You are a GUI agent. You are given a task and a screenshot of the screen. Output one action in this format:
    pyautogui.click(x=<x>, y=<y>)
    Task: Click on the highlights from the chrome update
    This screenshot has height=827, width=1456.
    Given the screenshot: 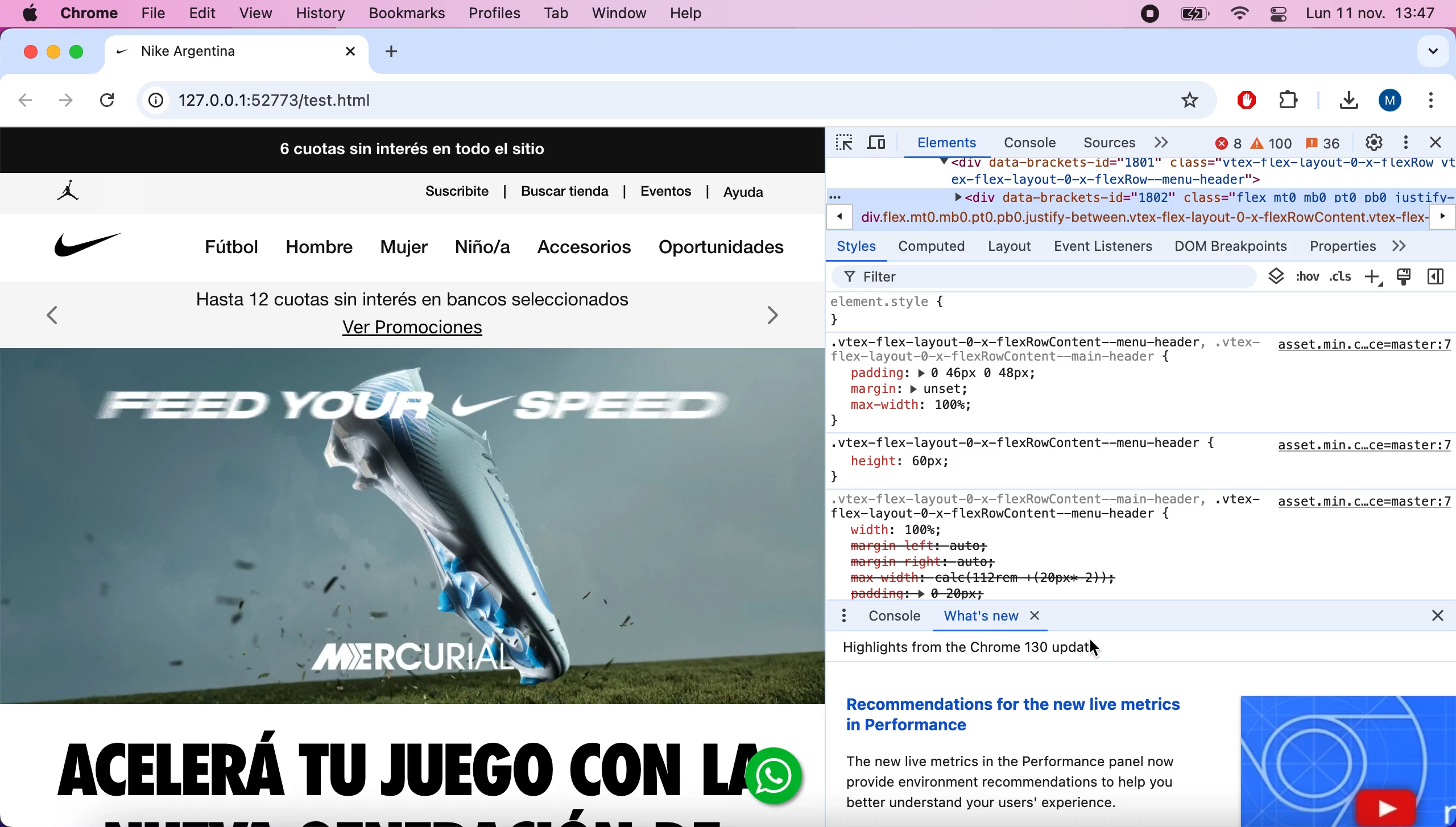 What is the action you would take?
    pyautogui.click(x=1144, y=744)
    